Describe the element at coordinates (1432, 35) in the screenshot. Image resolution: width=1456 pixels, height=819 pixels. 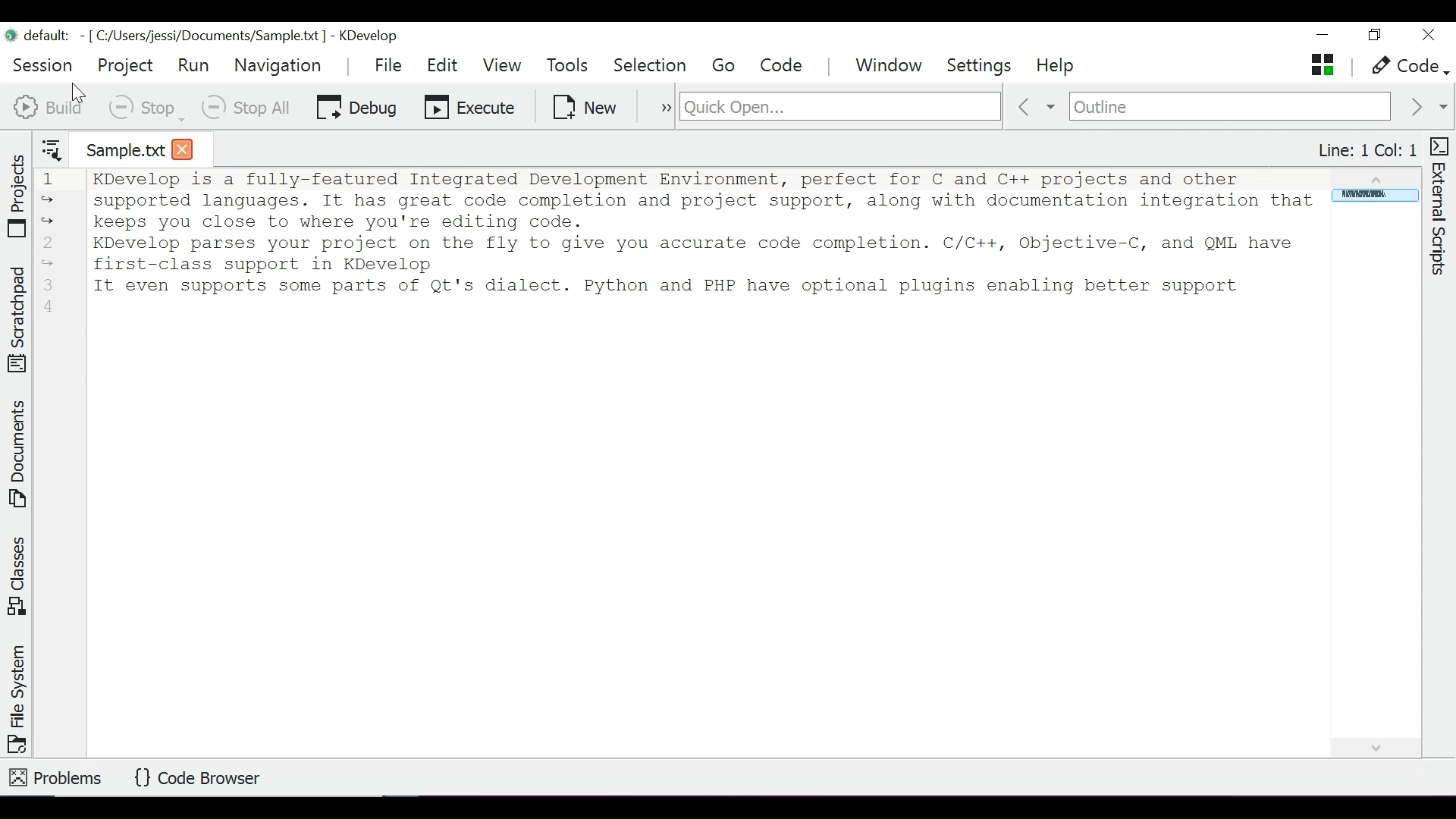
I see `Close` at that location.